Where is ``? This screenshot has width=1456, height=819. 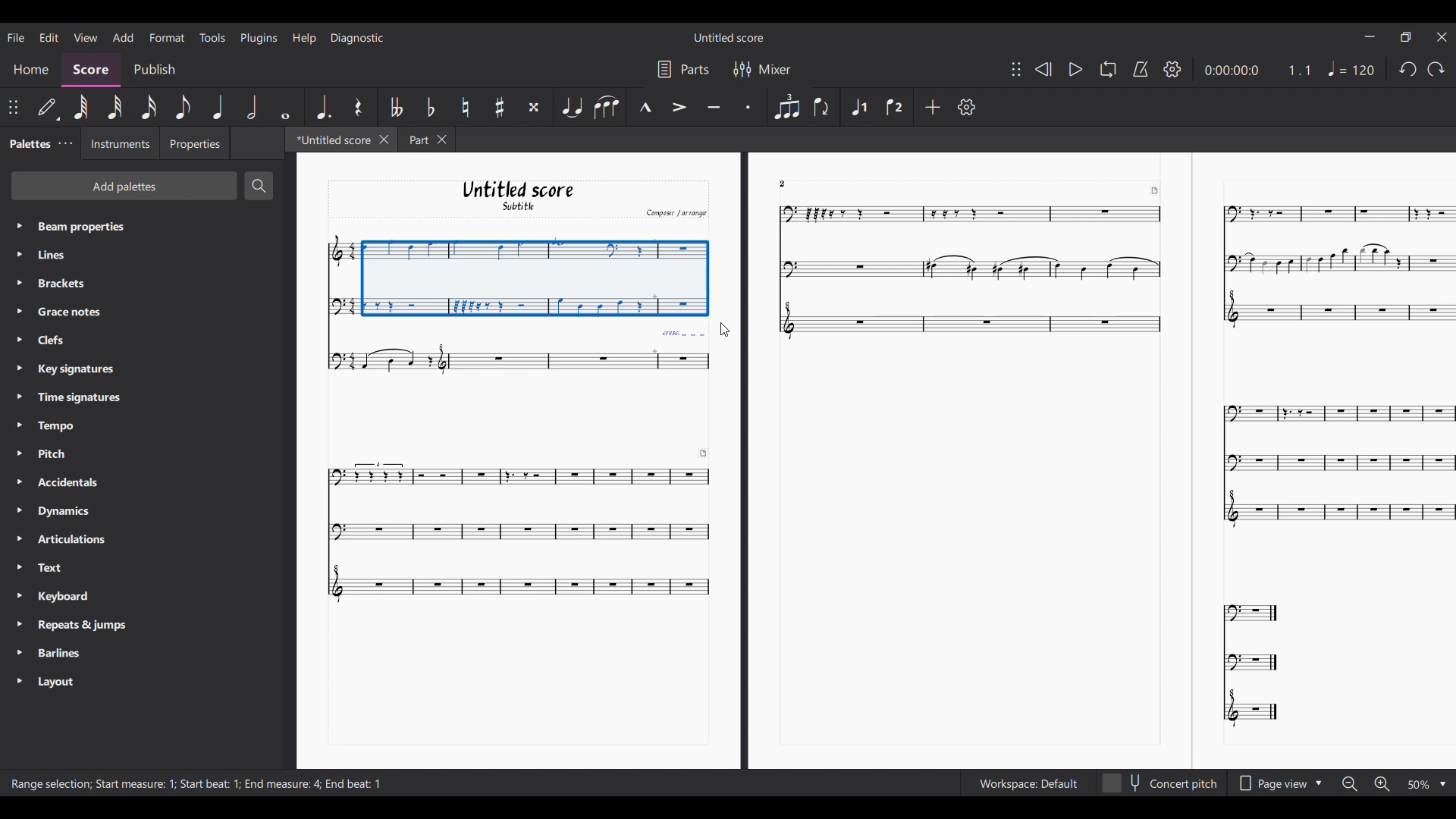
 is located at coordinates (1338, 212).